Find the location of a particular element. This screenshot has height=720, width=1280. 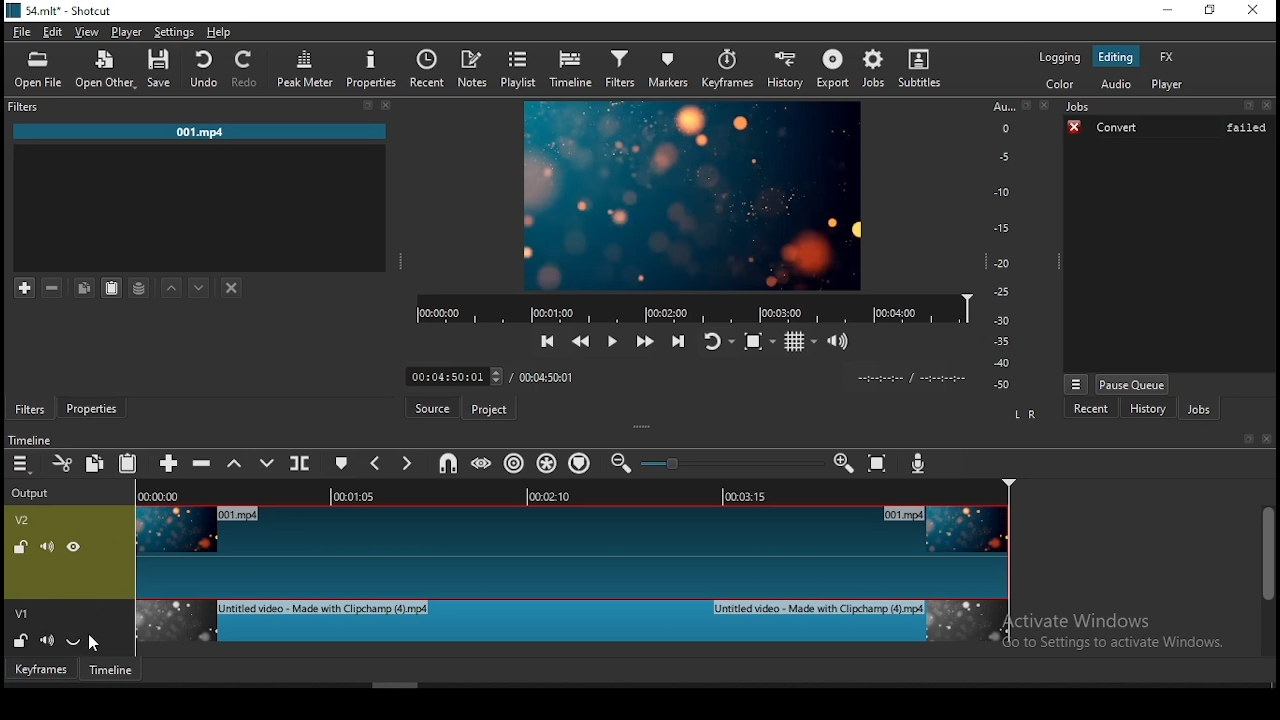

volume control is located at coordinates (840, 341).